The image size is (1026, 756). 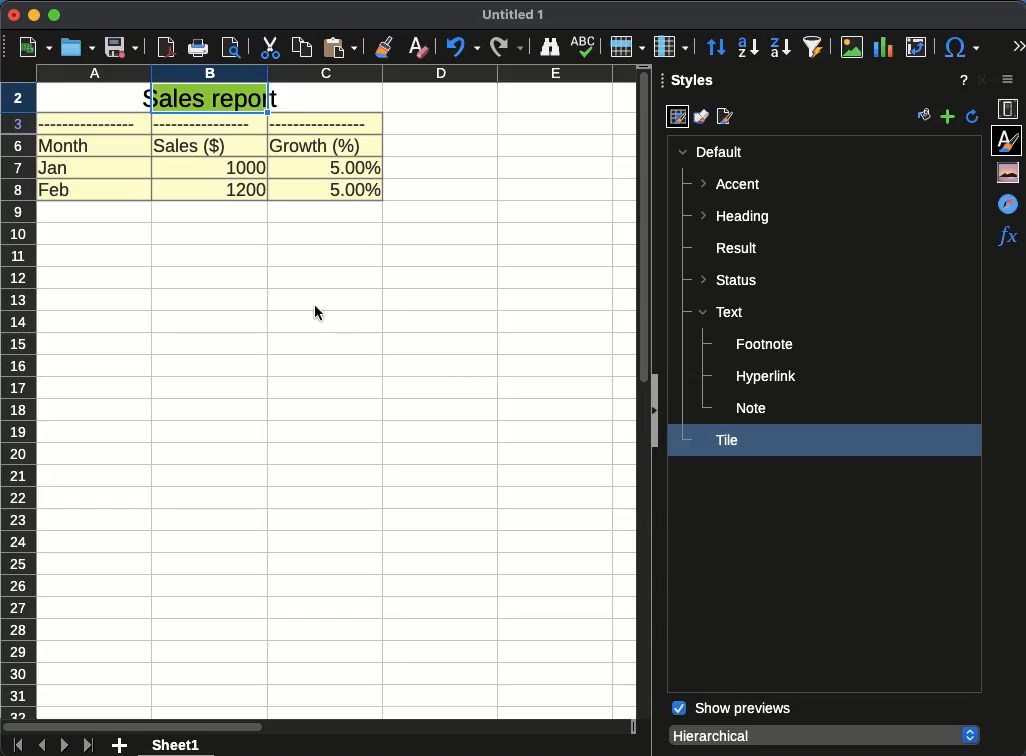 What do you see at coordinates (627, 46) in the screenshot?
I see `row` at bounding box center [627, 46].